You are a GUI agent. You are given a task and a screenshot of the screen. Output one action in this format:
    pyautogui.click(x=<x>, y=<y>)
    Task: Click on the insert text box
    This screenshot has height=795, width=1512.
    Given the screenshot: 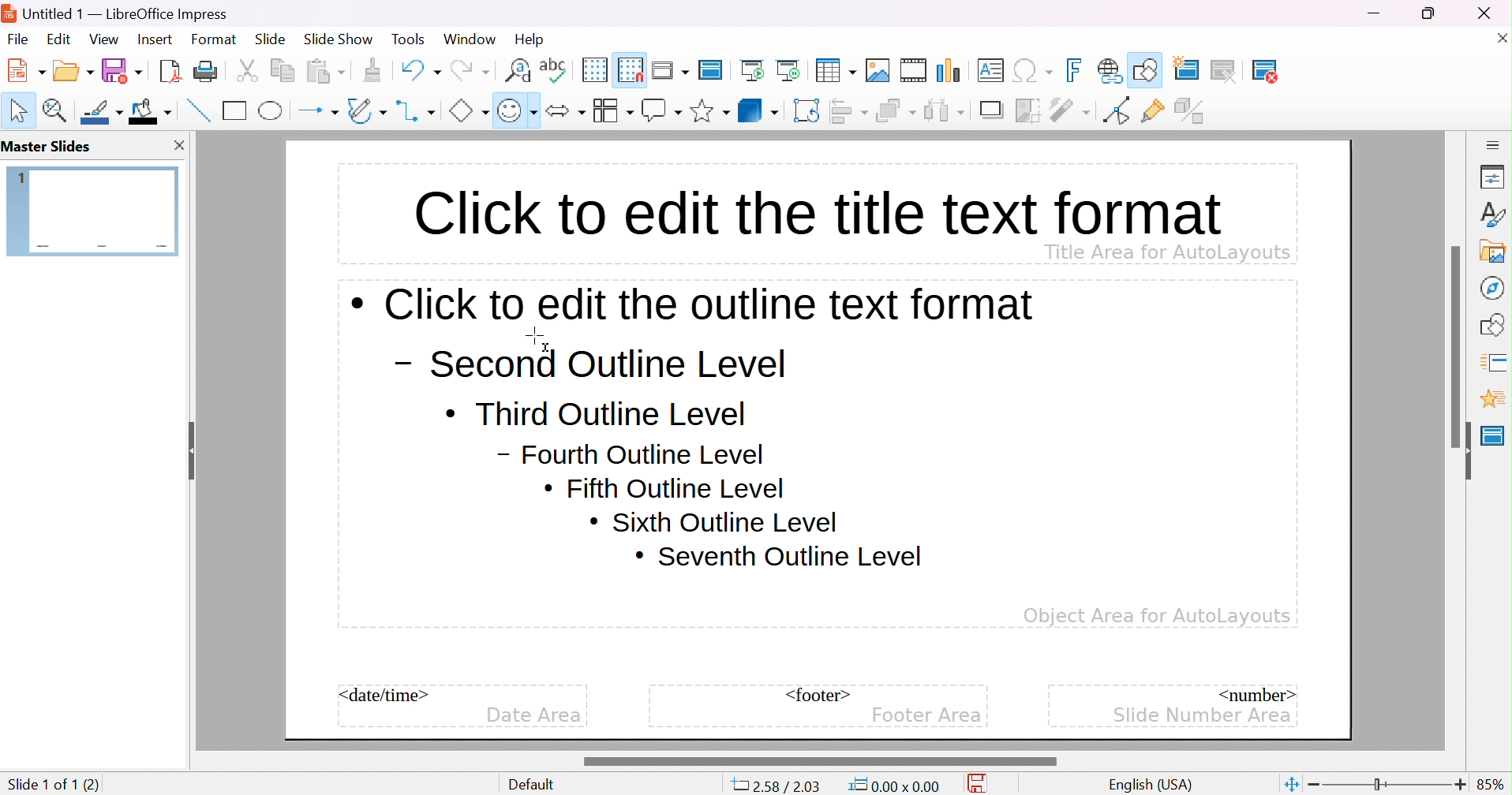 What is the action you would take?
    pyautogui.click(x=990, y=69)
    